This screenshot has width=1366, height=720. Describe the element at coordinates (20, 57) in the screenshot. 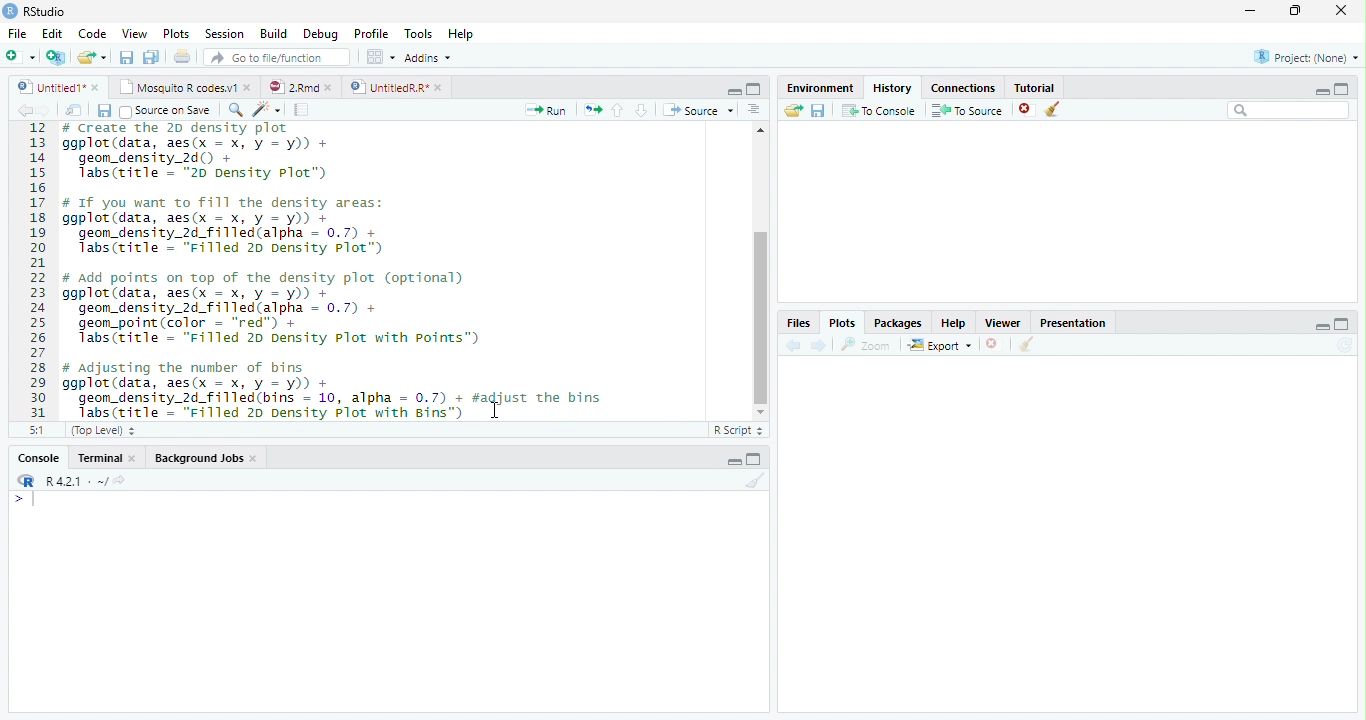

I see `New file` at that location.